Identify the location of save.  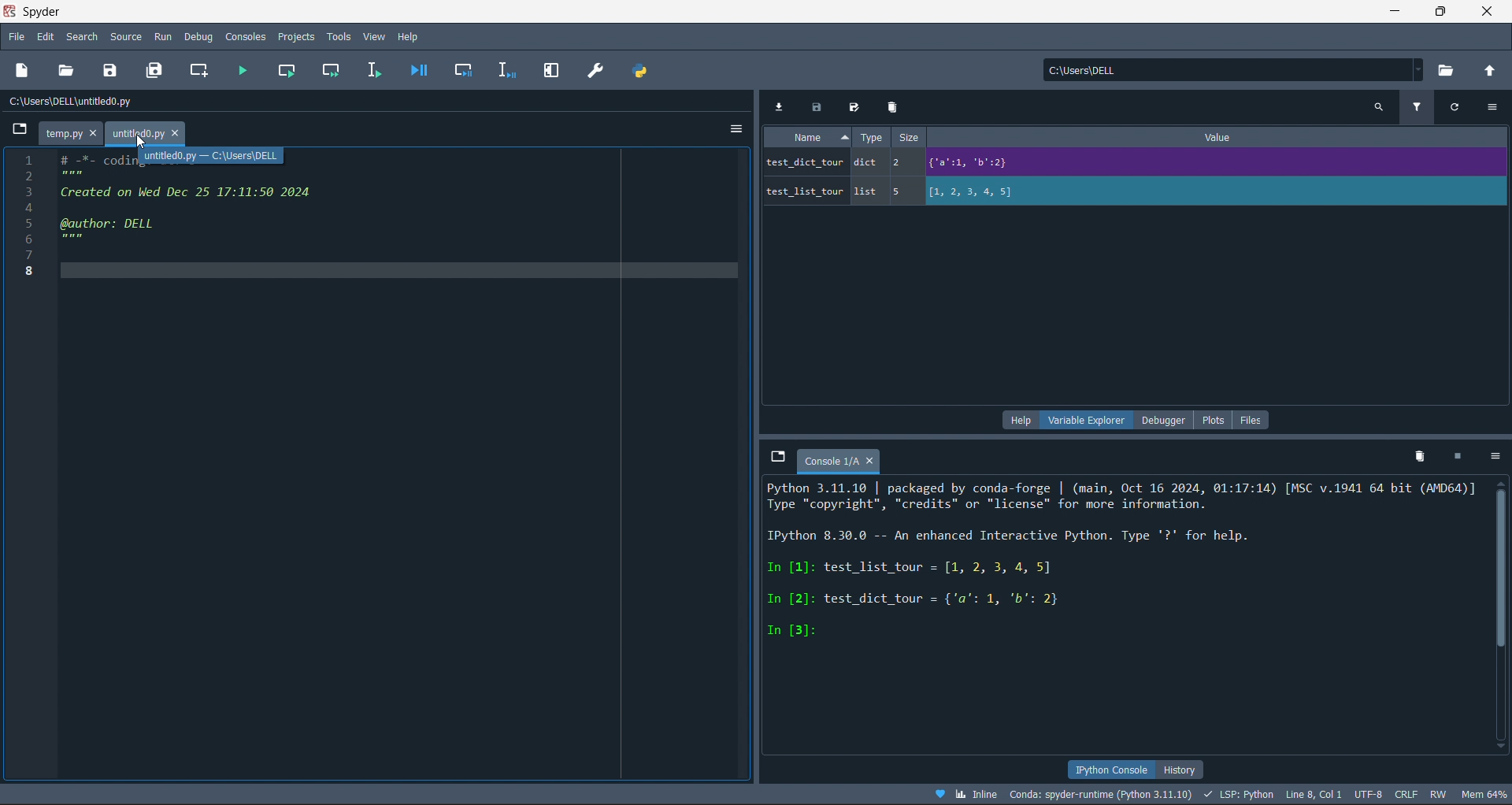
(106, 71).